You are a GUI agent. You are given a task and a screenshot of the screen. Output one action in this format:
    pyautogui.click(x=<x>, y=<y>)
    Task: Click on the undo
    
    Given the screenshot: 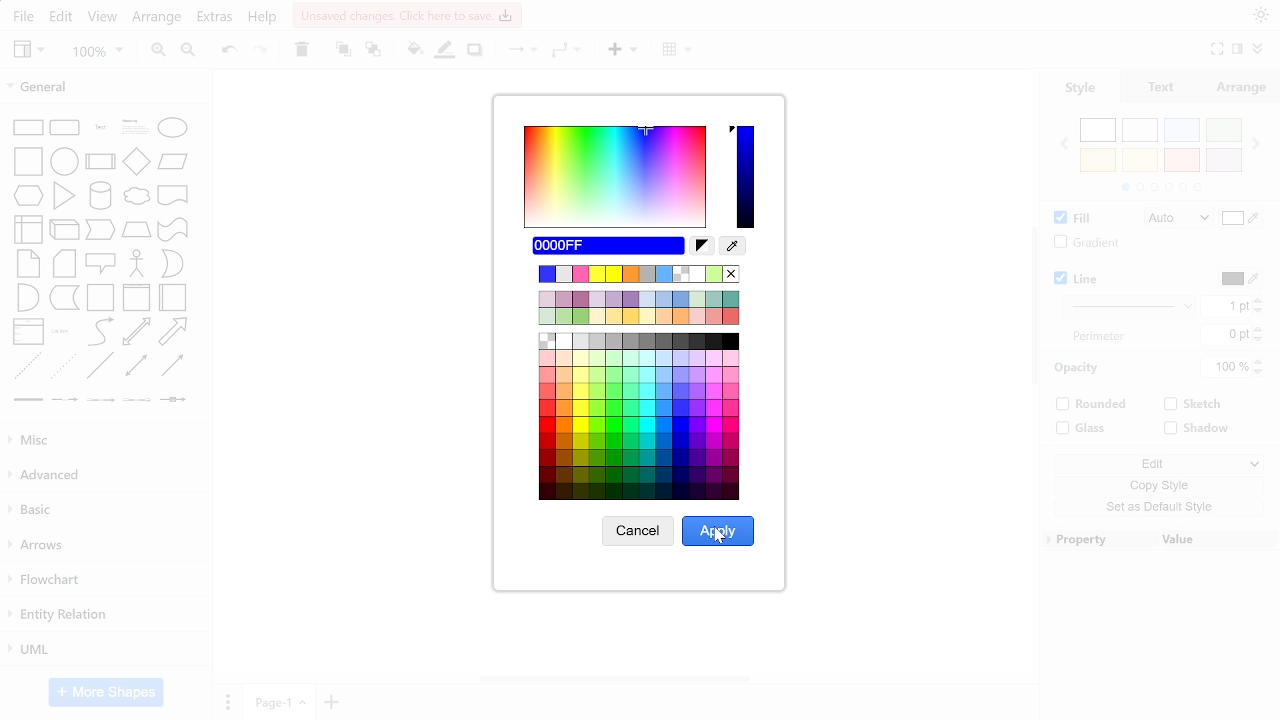 What is the action you would take?
    pyautogui.click(x=230, y=53)
    